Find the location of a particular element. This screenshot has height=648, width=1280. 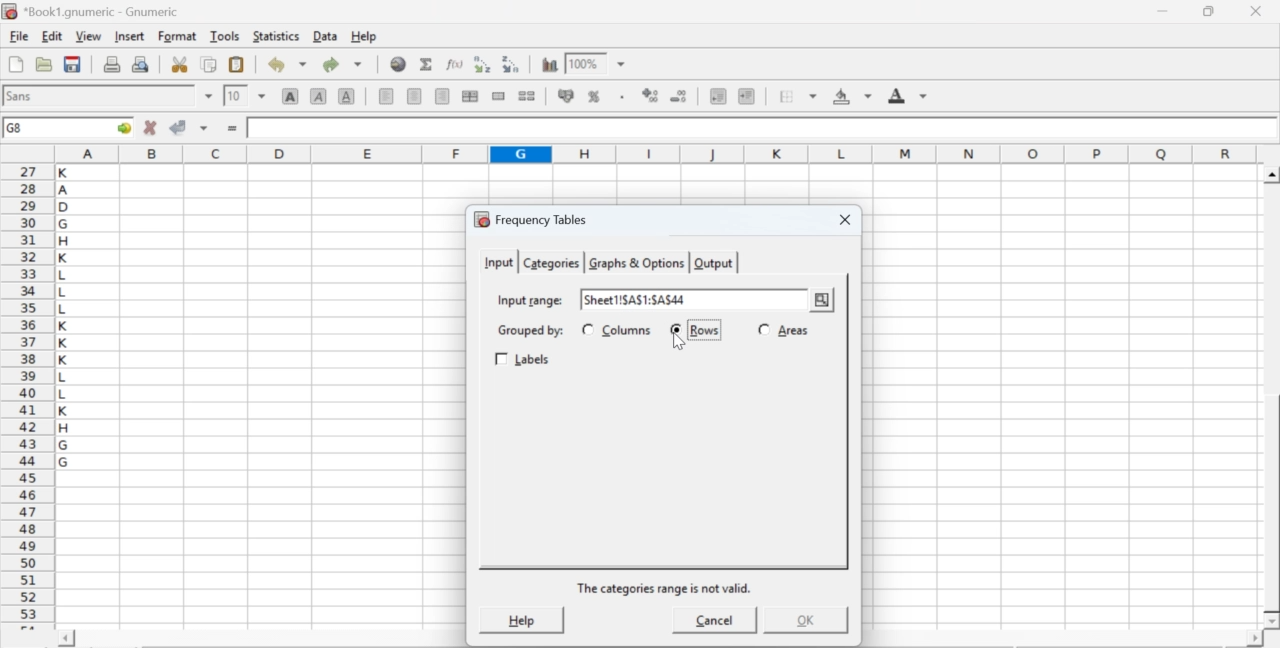

background is located at coordinates (854, 96).